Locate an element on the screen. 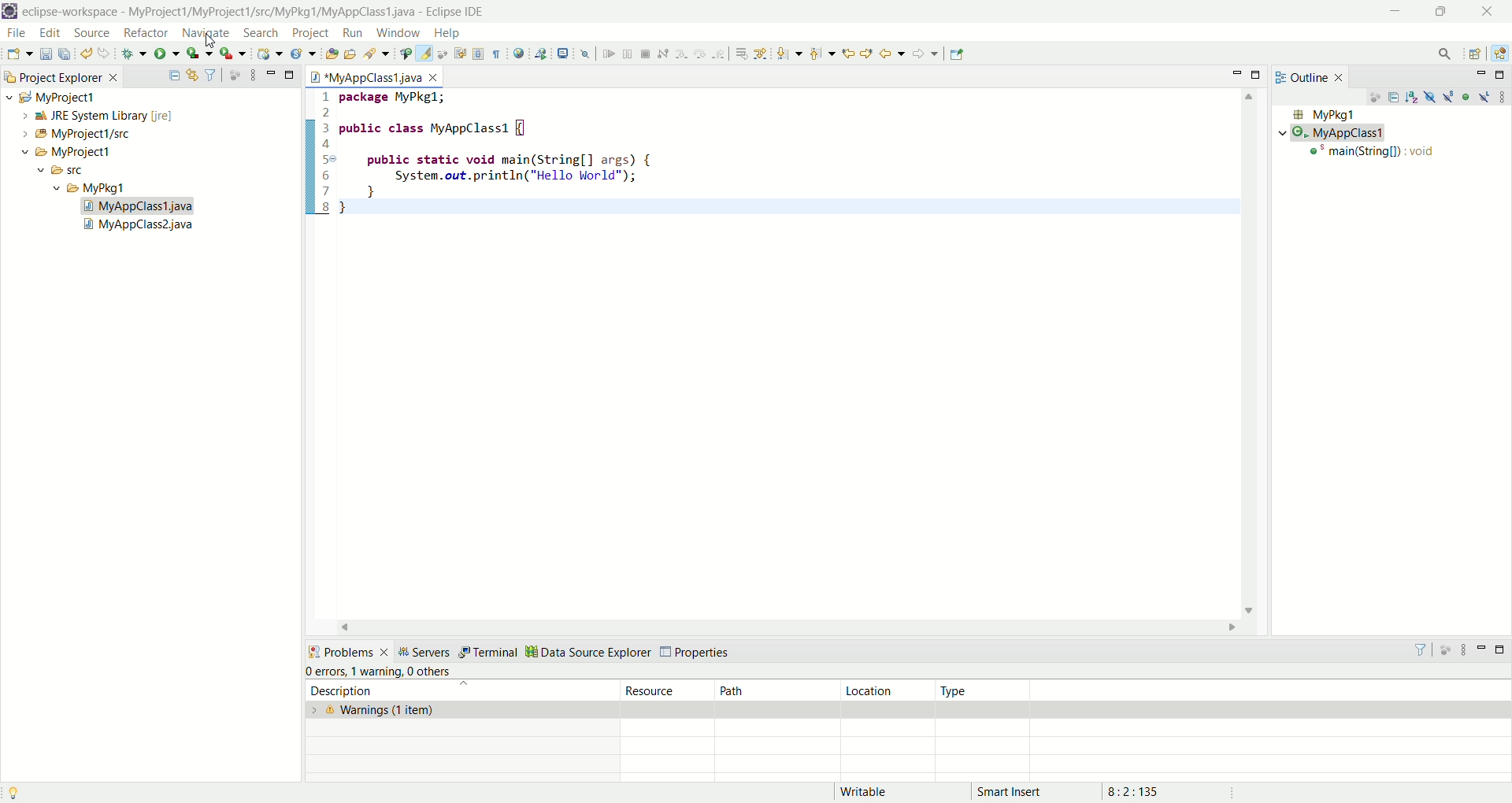  launch web service explorer is located at coordinates (541, 53).